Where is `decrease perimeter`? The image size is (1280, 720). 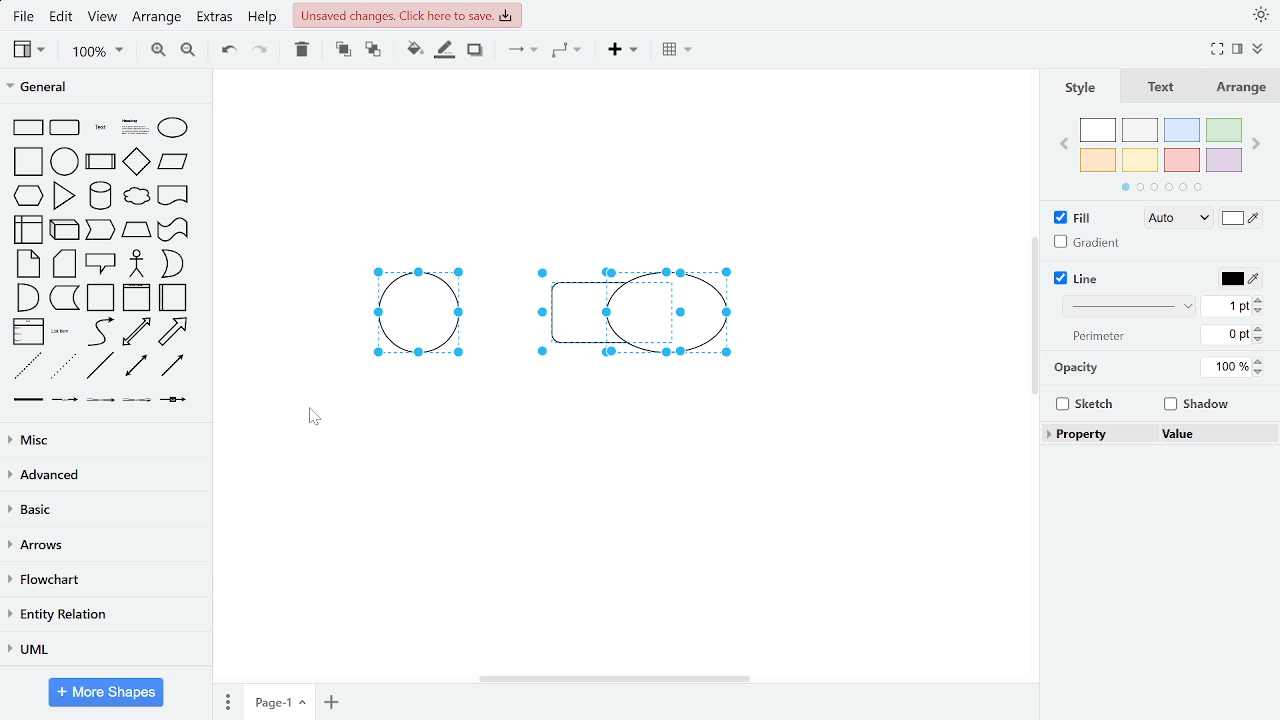 decrease perimeter is located at coordinates (1261, 339).